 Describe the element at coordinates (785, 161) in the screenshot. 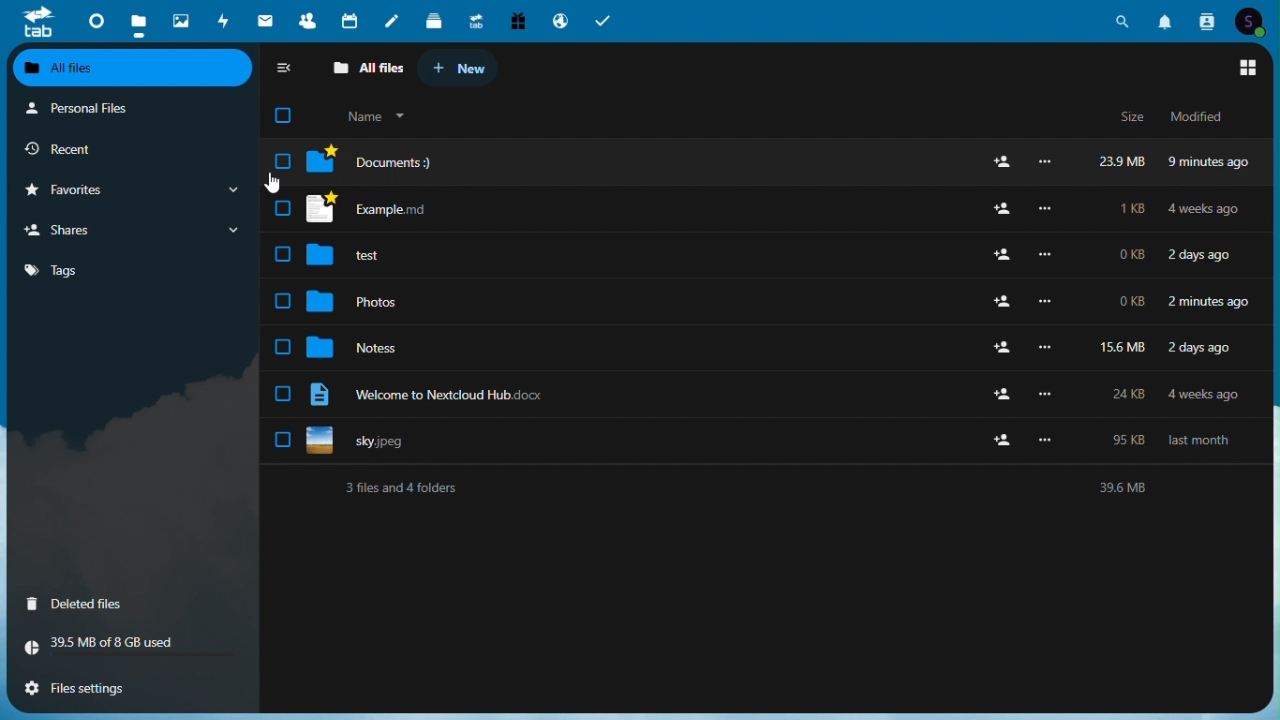

I see `File` at that location.